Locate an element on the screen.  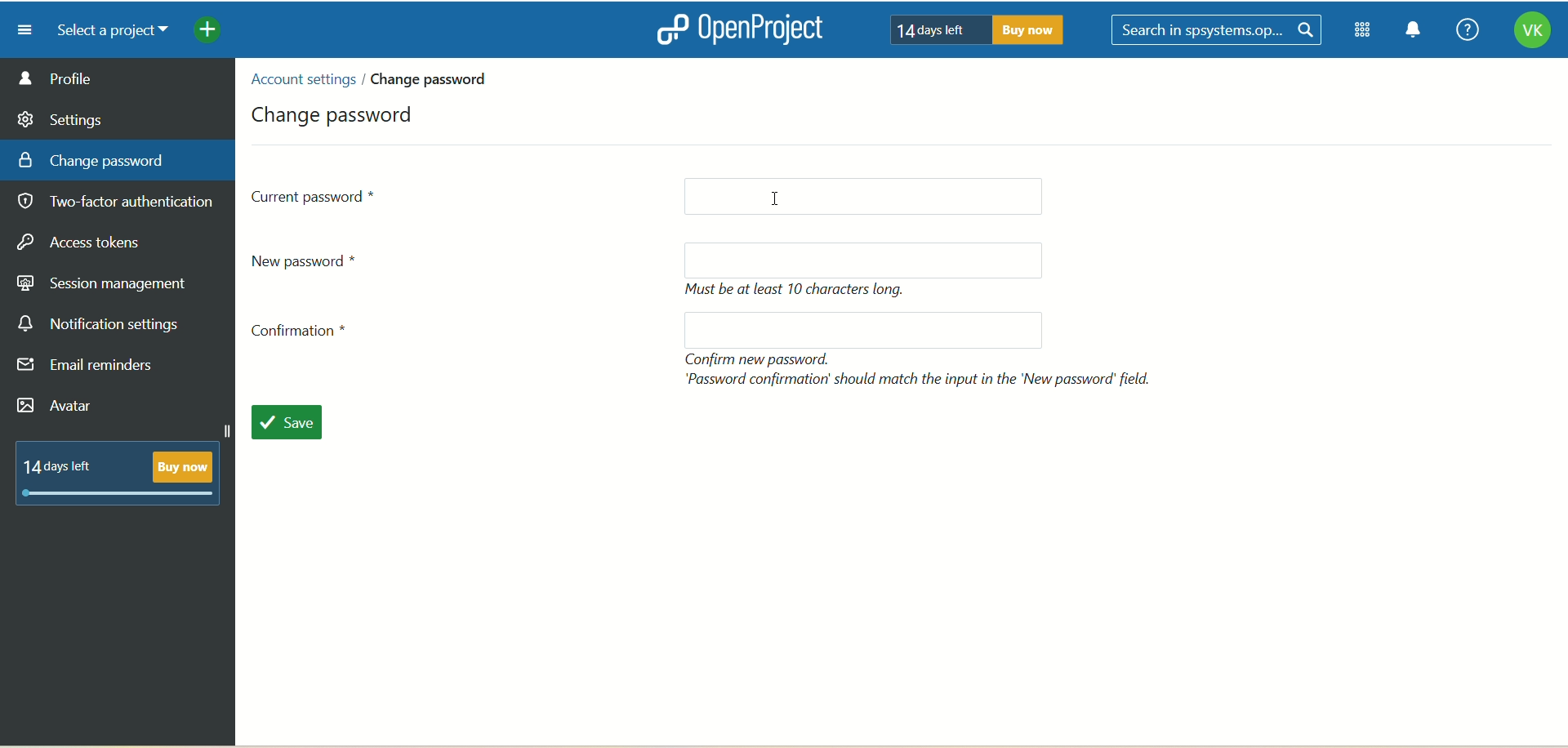
settings is located at coordinates (61, 117).